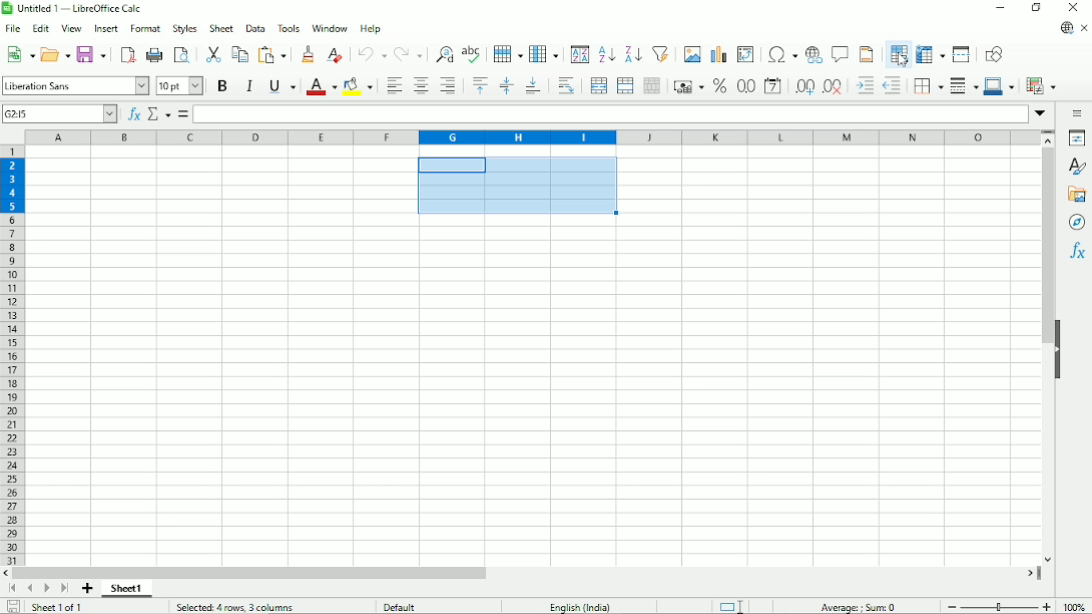  What do you see at coordinates (1076, 223) in the screenshot?
I see `Navigator` at bounding box center [1076, 223].